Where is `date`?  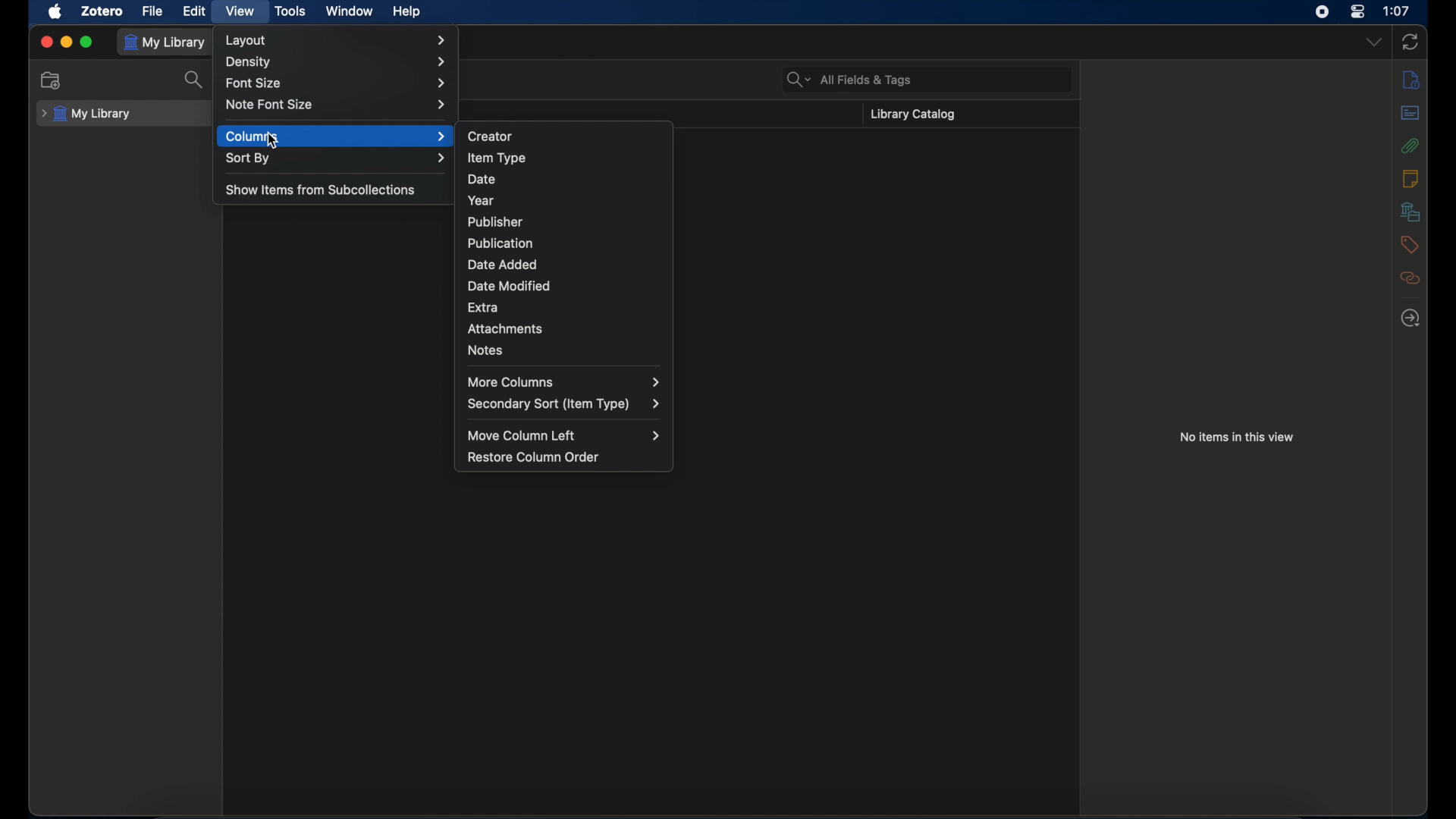
date is located at coordinates (481, 179).